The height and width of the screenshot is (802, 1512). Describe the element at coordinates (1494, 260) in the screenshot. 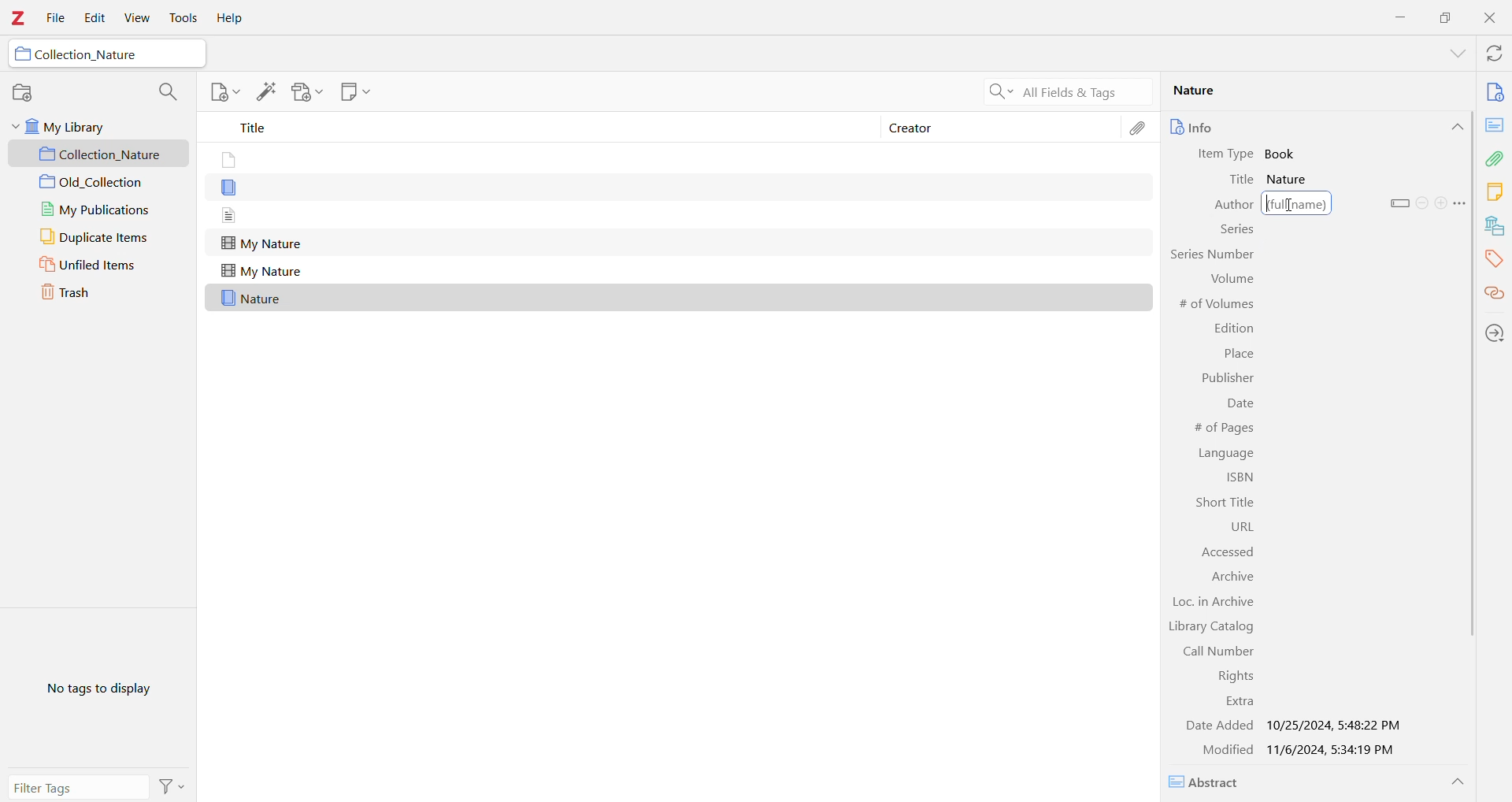

I see `Tags` at that location.